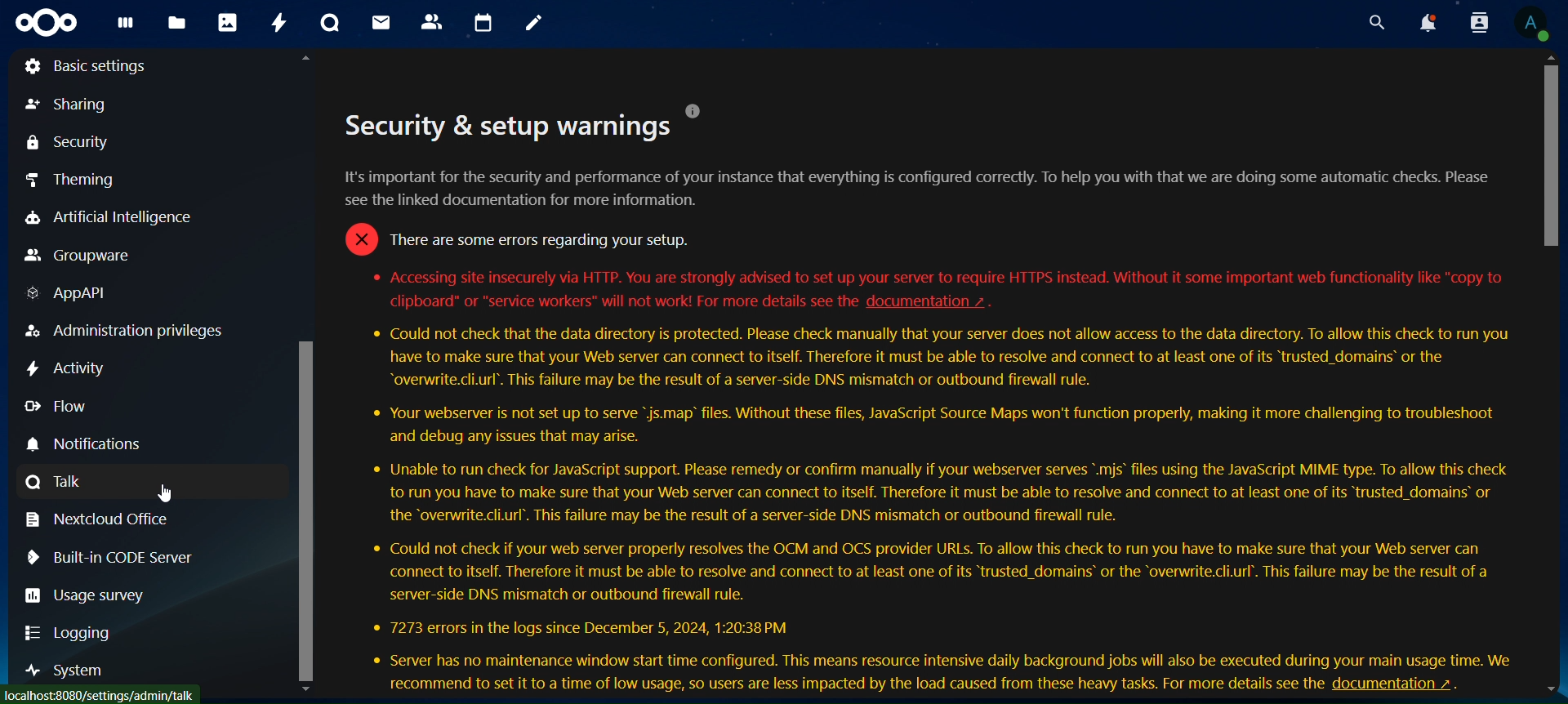  What do you see at coordinates (70, 672) in the screenshot?
I see `system` at bounding box center [70, 672].